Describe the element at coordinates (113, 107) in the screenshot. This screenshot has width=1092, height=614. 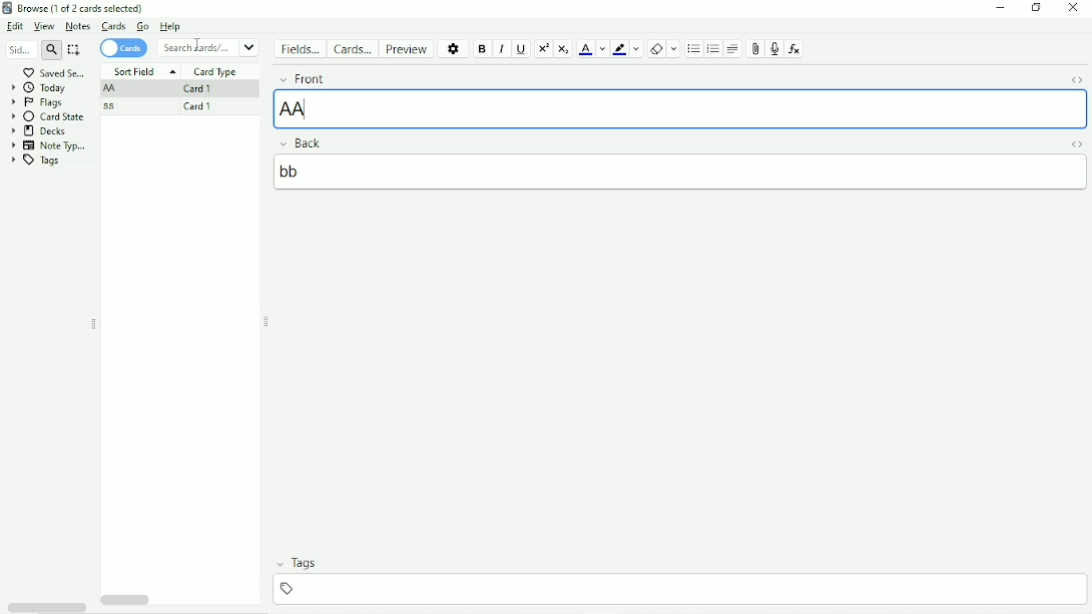
I see `SS` at that location.